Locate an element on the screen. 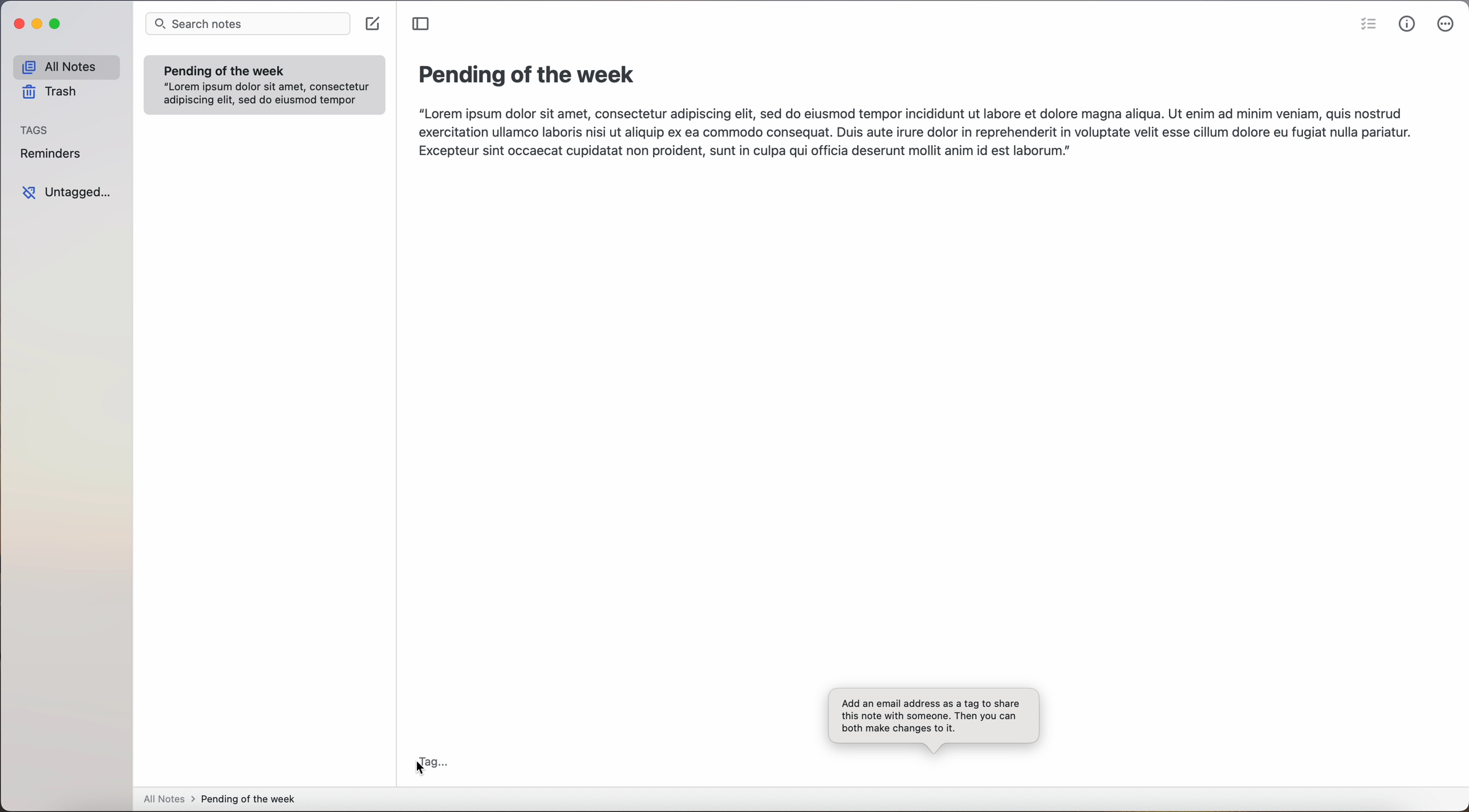  untagged is located at coordinates (69, 194).